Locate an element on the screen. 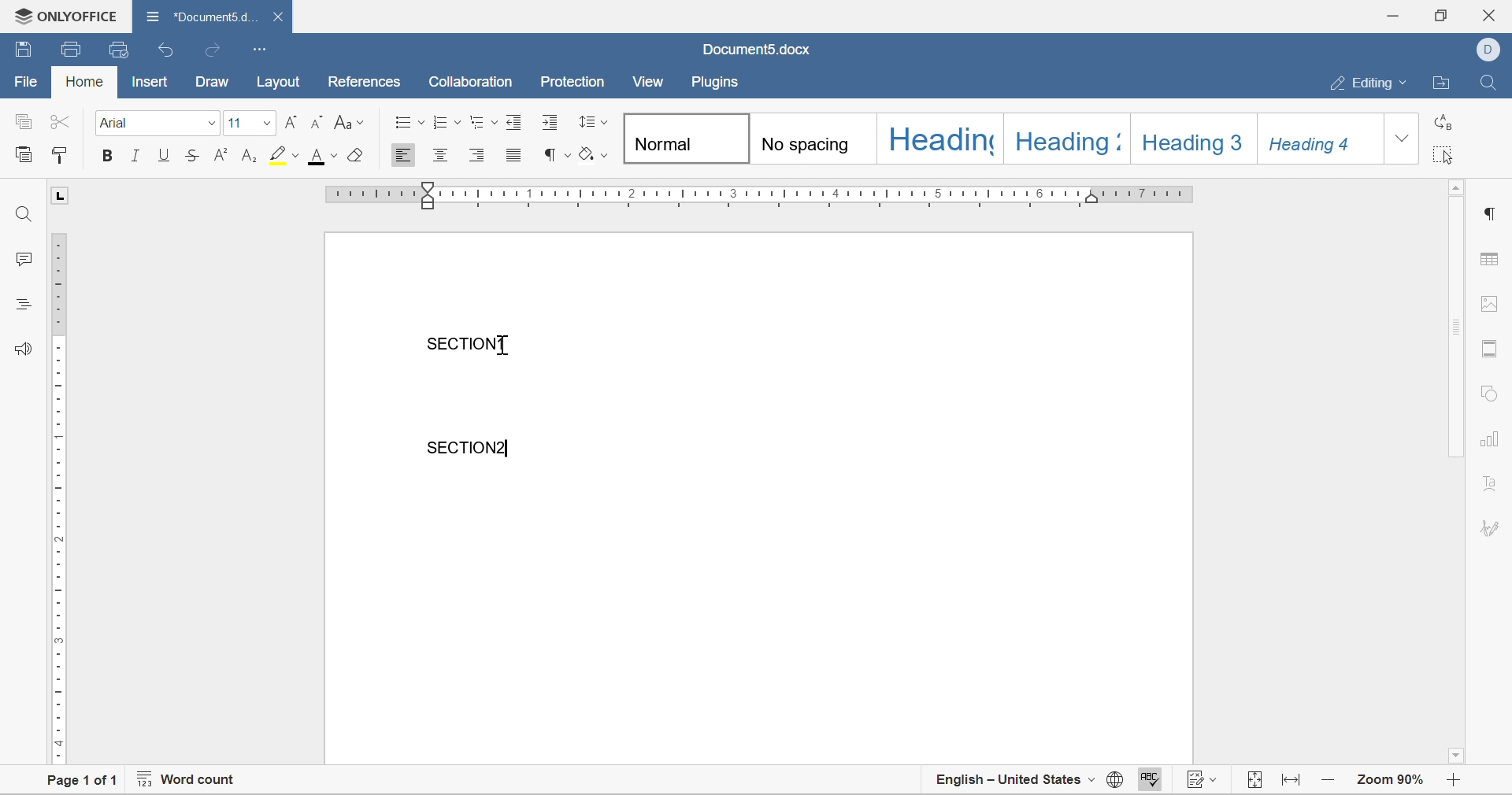  find is located at coordinates (24, 214).